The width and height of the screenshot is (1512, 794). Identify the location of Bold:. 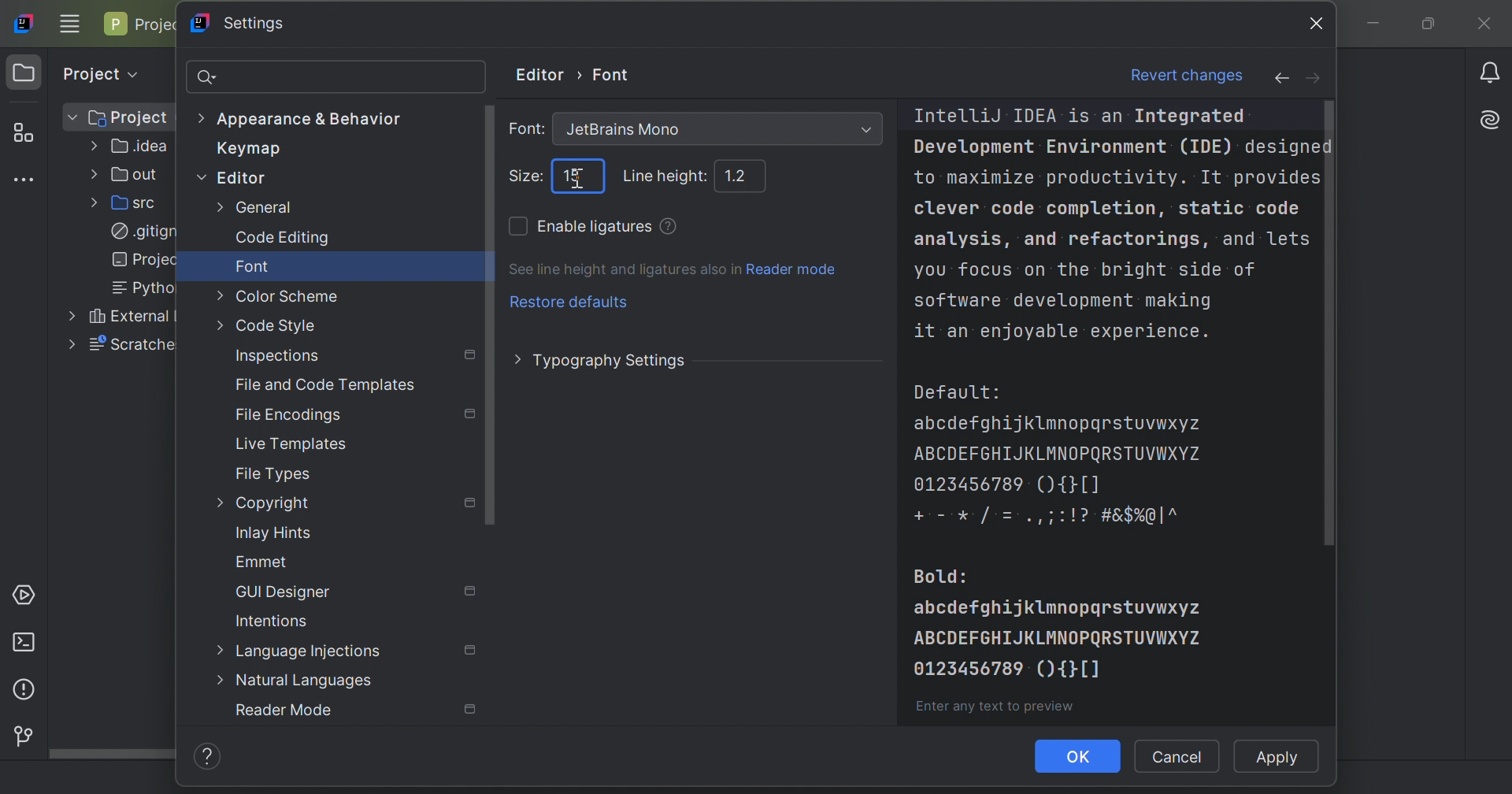
(943, 578).